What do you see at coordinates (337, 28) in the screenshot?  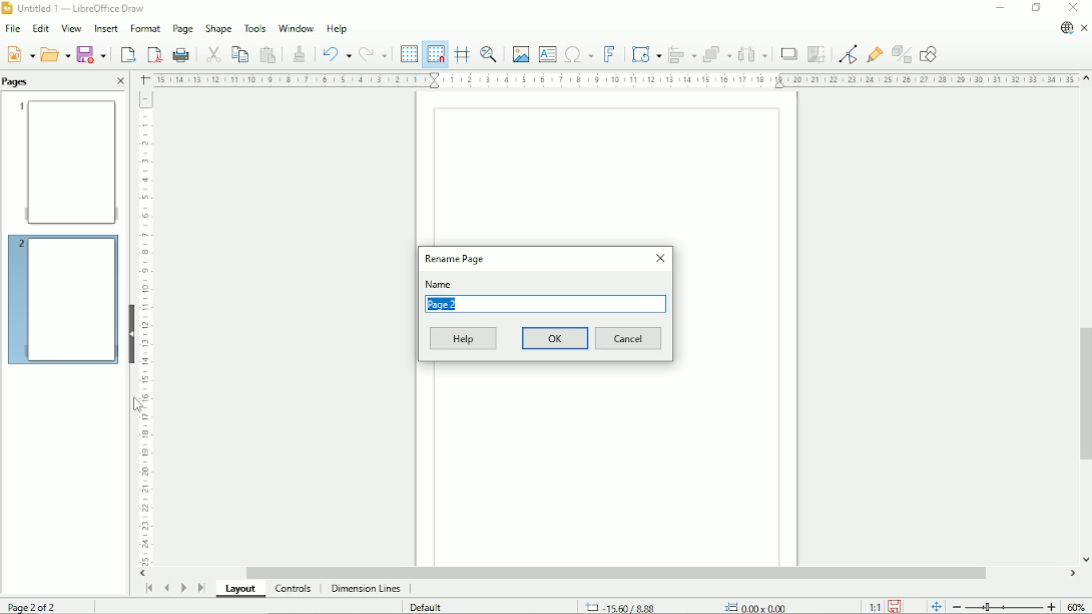 I see `Help` at bounding box center [337, 28].